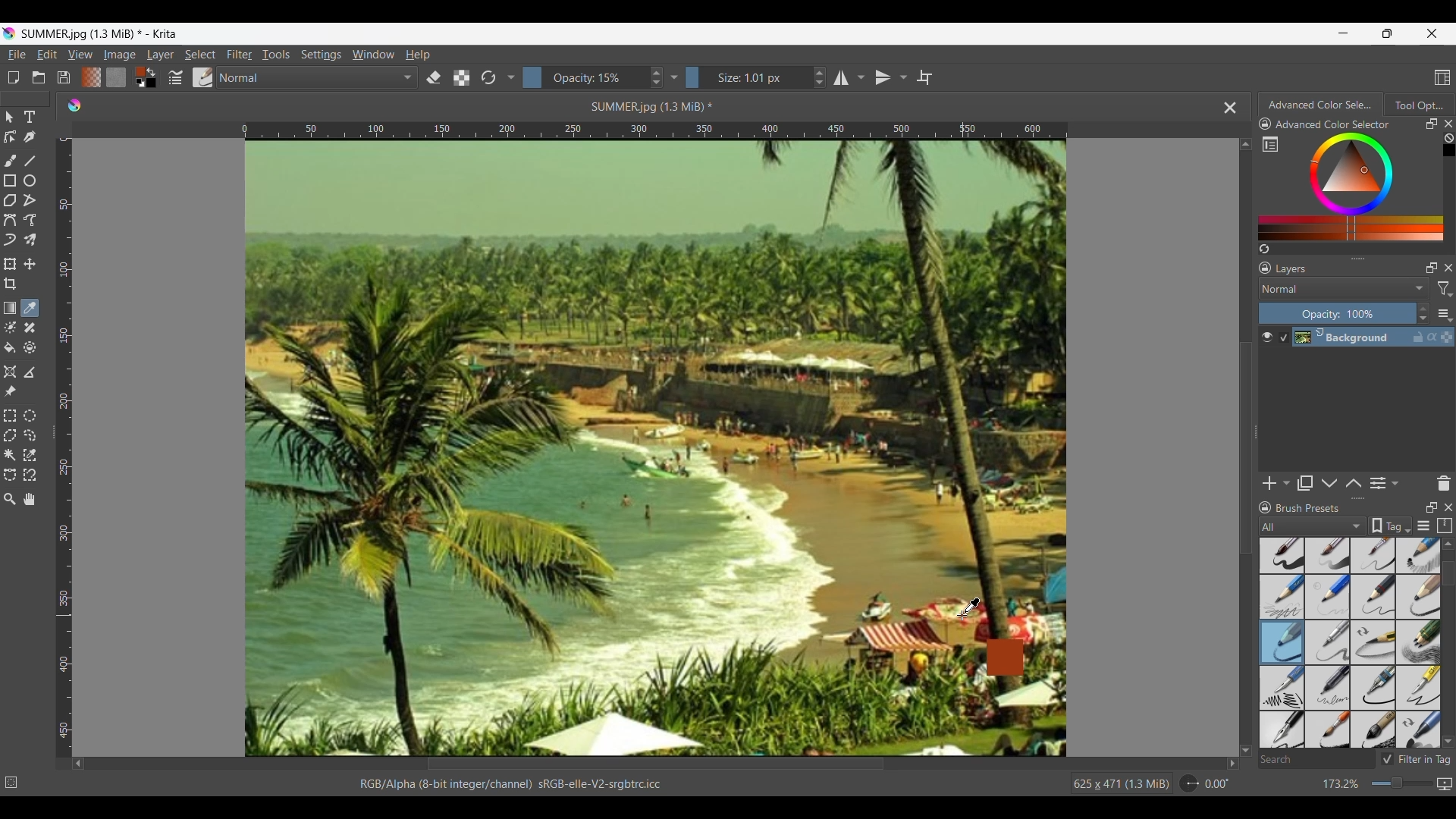 This screenshot has height=819, width=1456. What do you see at coordinates (29, 475) in the screenshot?
I see `Magnetic curve selection tool` at bounding box center [29, 475].